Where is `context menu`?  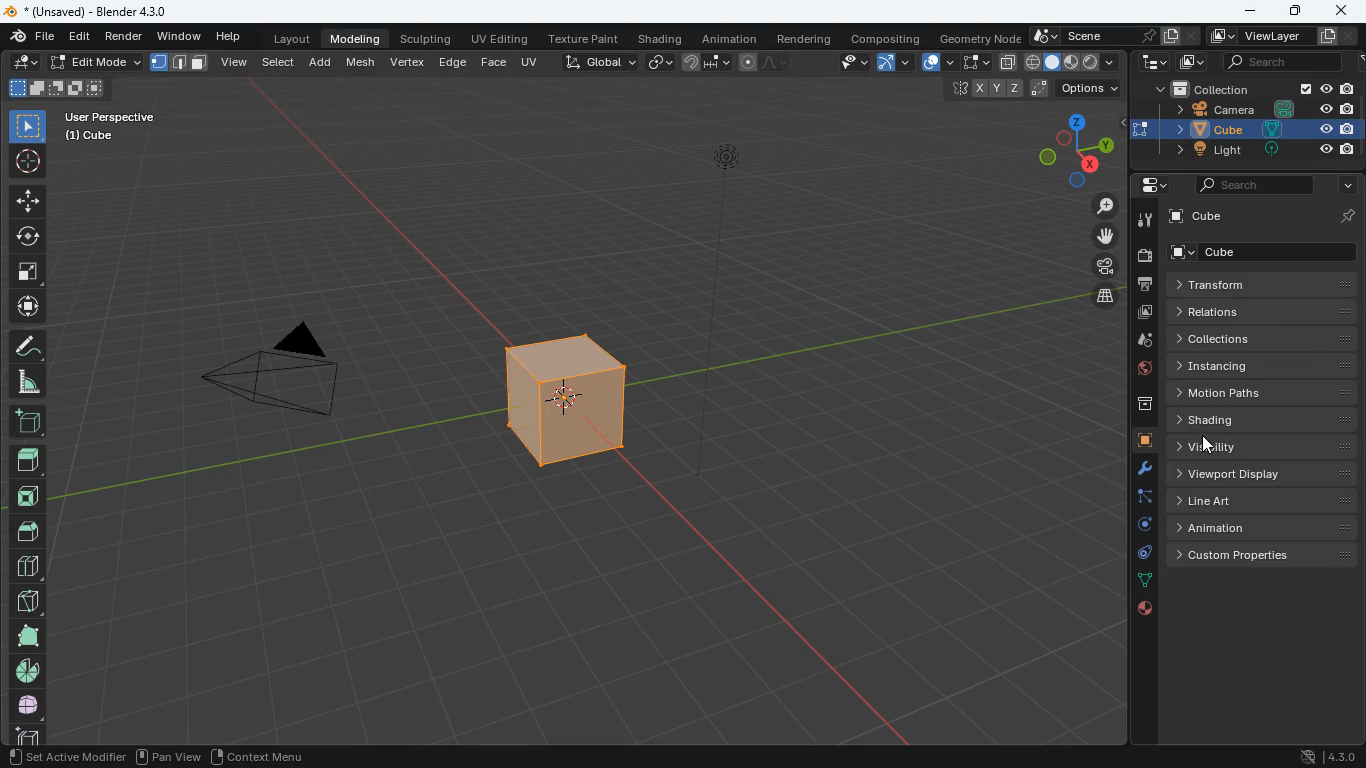
context menu is located at coordinates (258, 755).